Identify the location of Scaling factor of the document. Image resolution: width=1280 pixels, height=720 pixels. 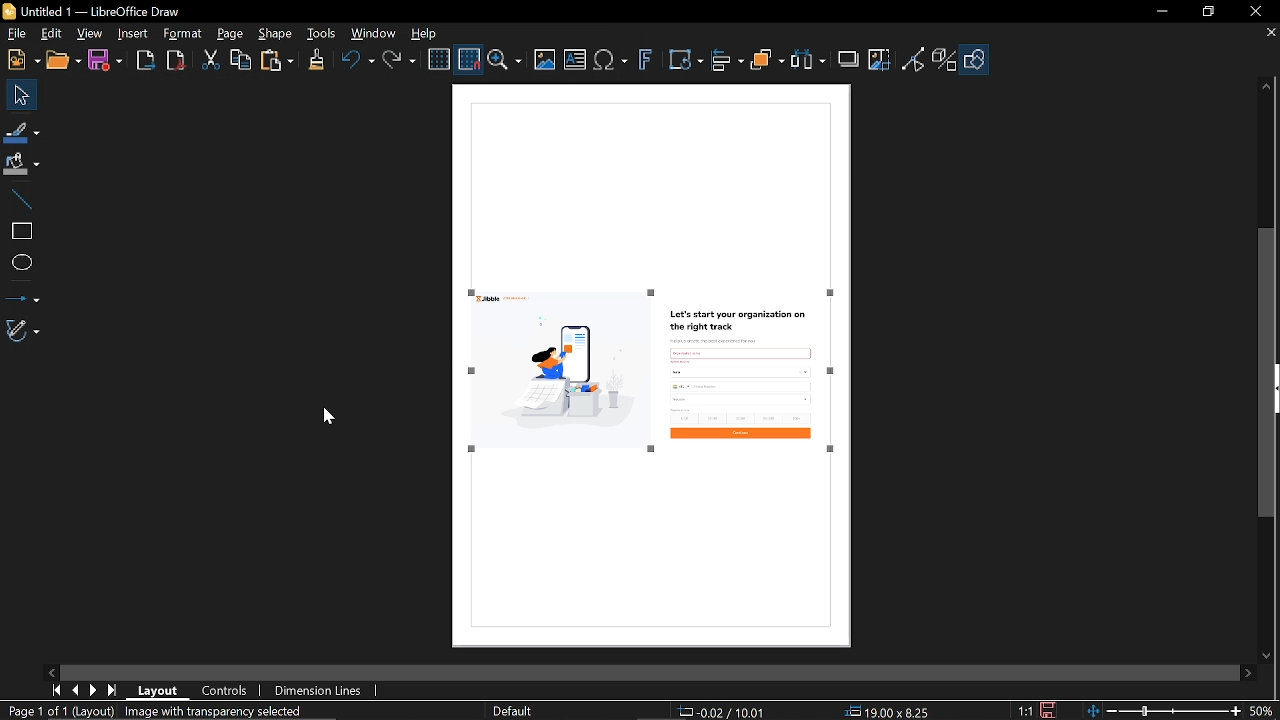
(1027, 711).